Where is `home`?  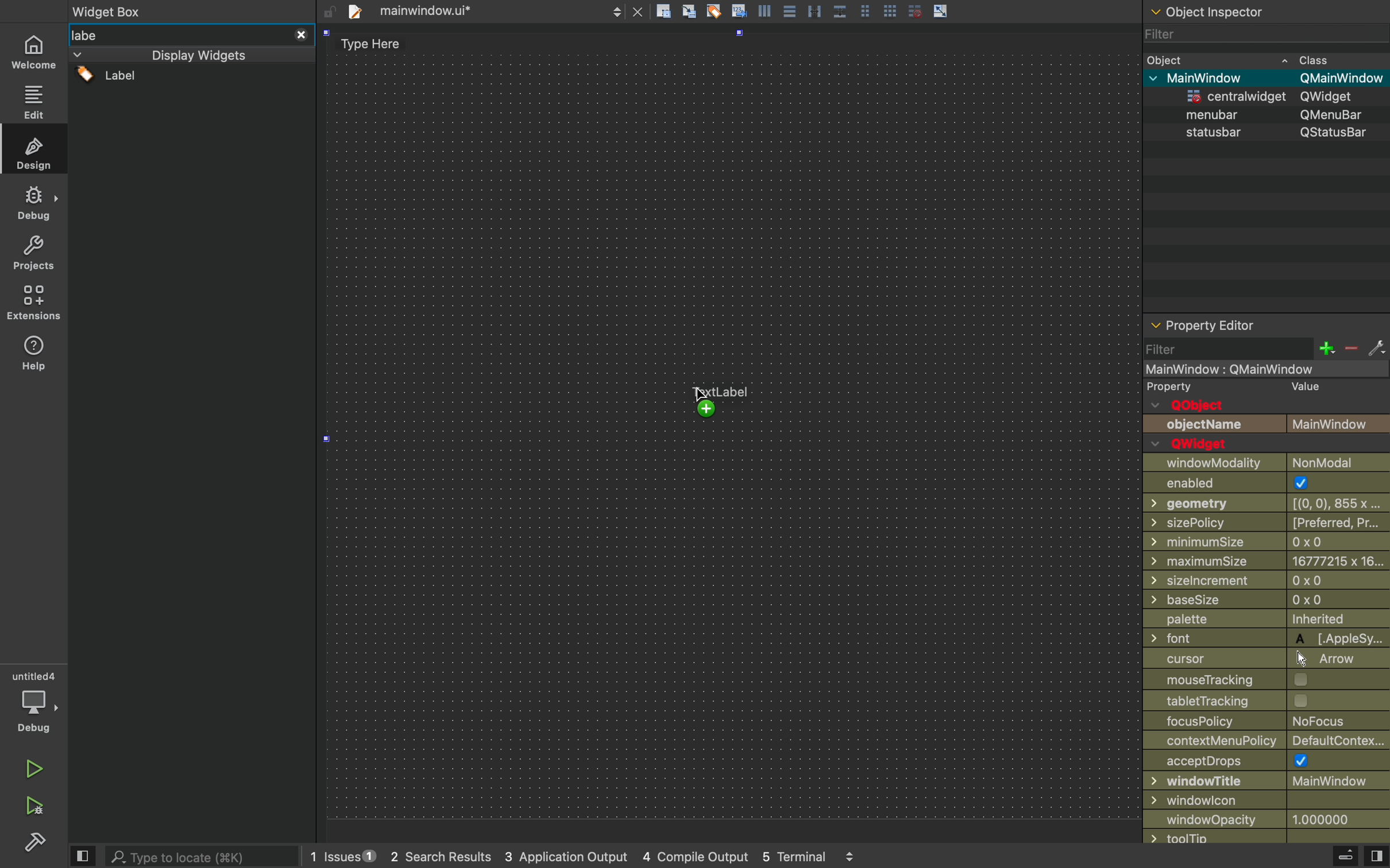 home is located at coordinates (34, 49).